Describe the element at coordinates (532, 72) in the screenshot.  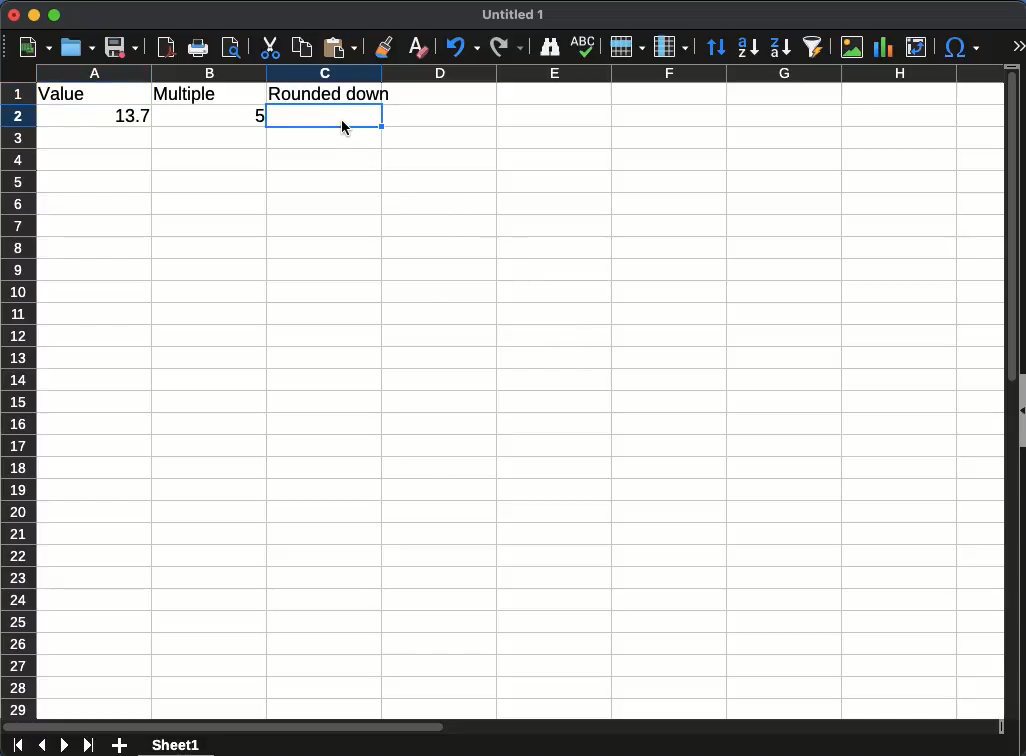
I see `column` at that location.